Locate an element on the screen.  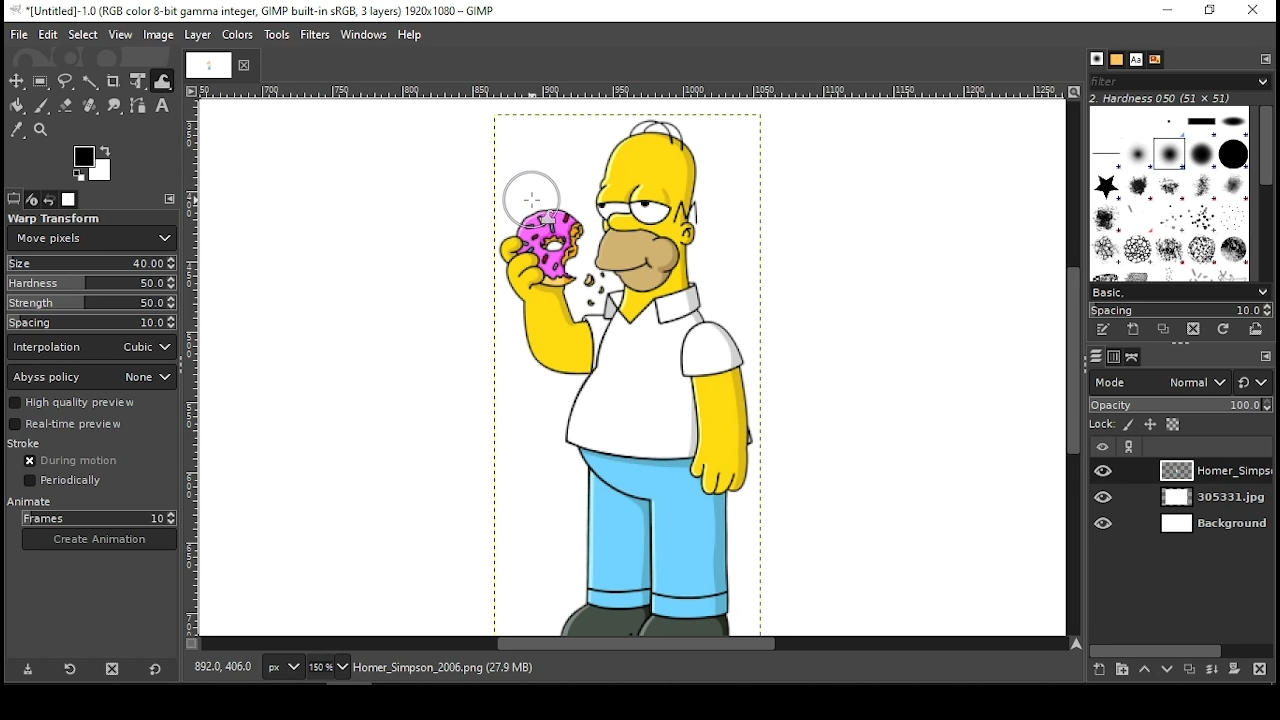
zoom tool is located at coordinates (42, 131).